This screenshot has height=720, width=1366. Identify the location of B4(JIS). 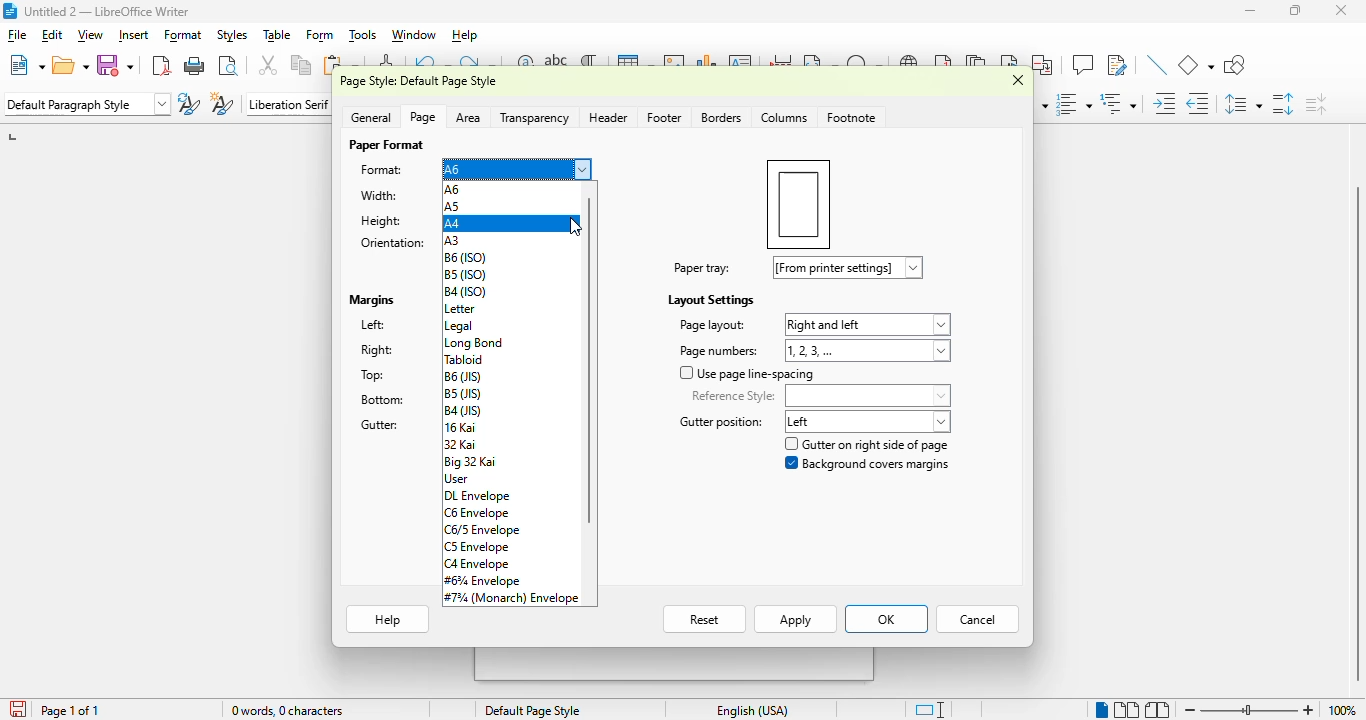
(464, 410).